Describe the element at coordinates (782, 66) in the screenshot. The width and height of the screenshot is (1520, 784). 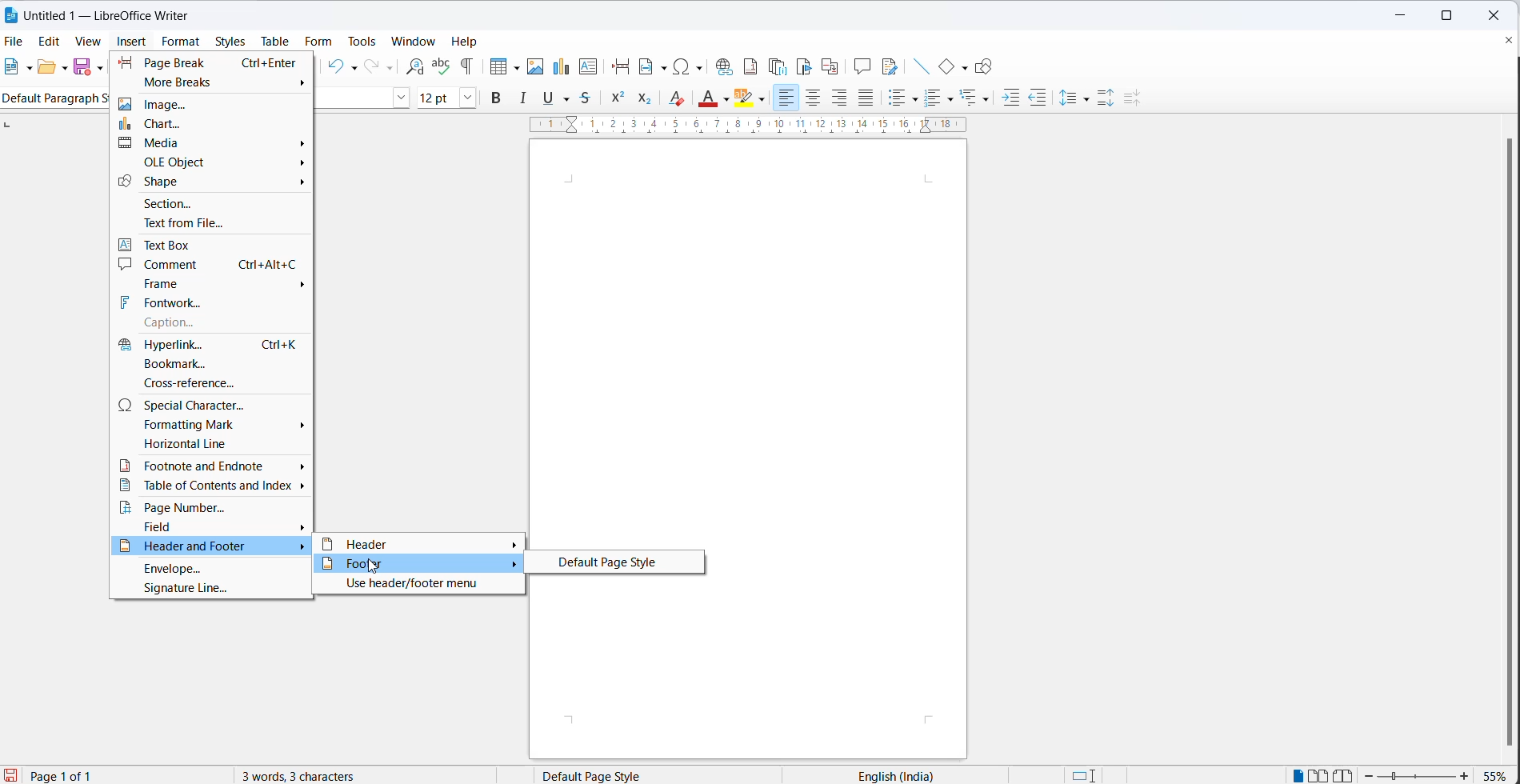
I see `insert endnote` at that location.